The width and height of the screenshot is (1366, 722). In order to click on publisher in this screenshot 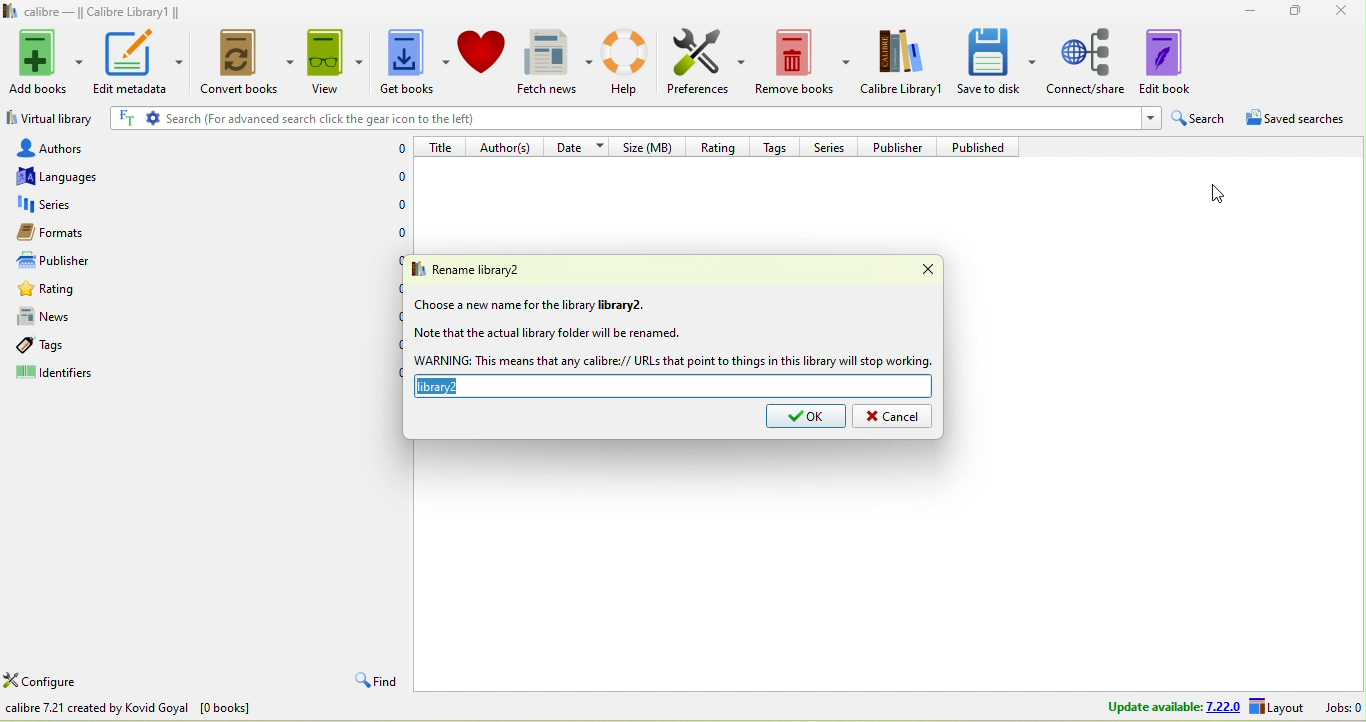, I will do `click(74, 261)`.